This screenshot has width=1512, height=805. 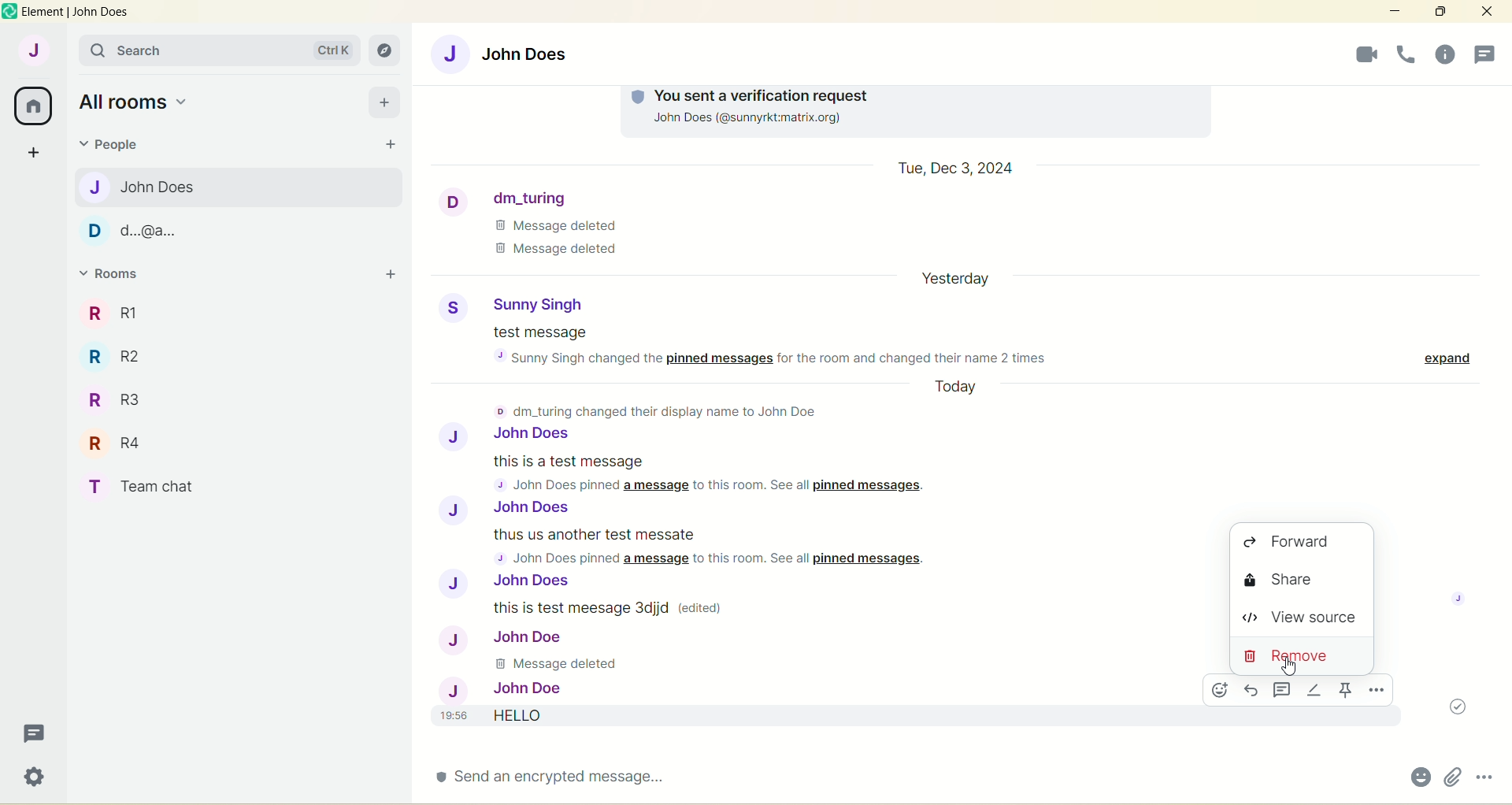 What do you see at coordinates (330, 46) in the screenshot?
I see `ctrl k` at bounding box center [330, 46].